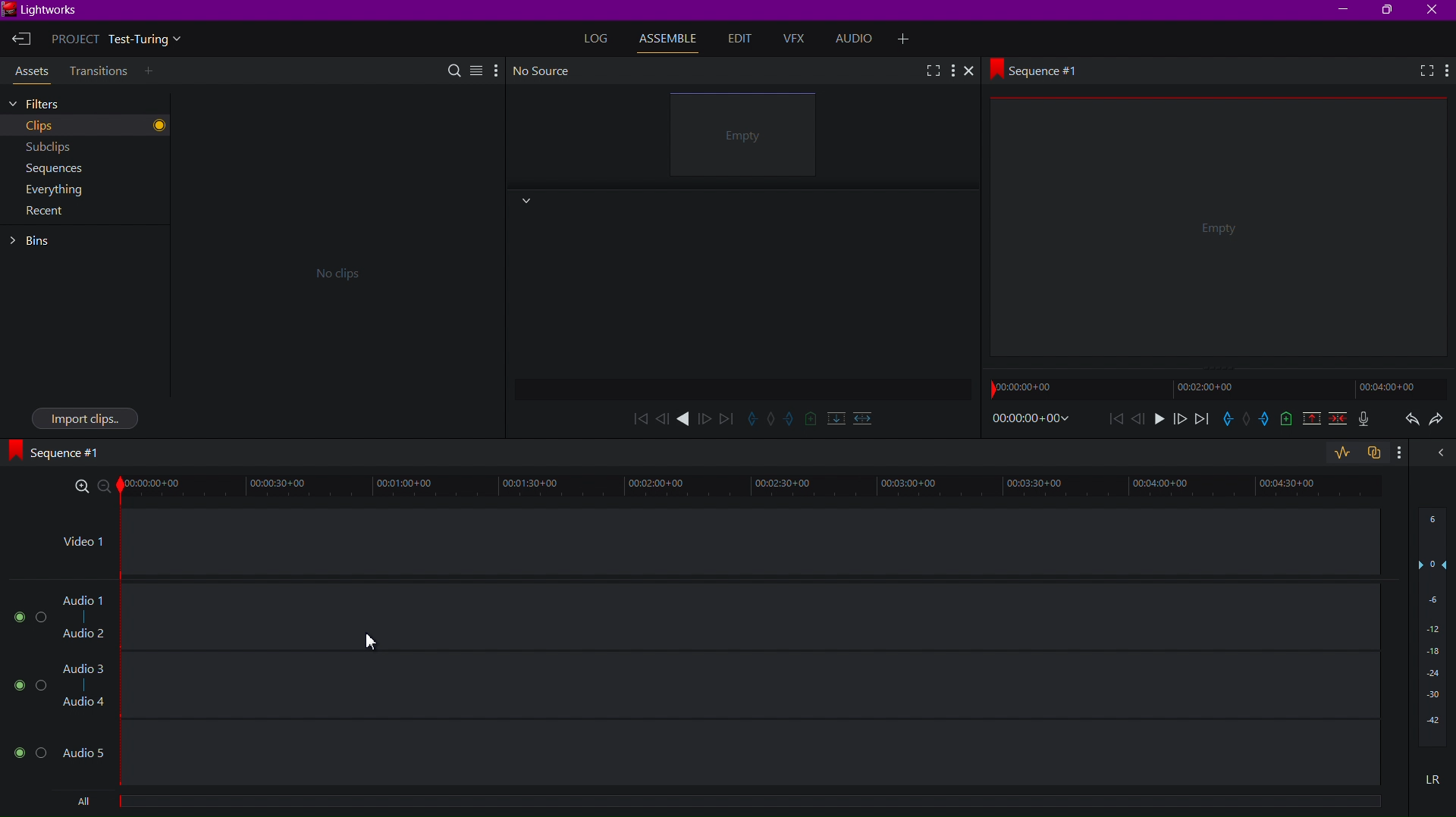  What do you see at coordinates (1335, 421) in the screenshot?
I see `merge` at bounding box center [1335, 421].